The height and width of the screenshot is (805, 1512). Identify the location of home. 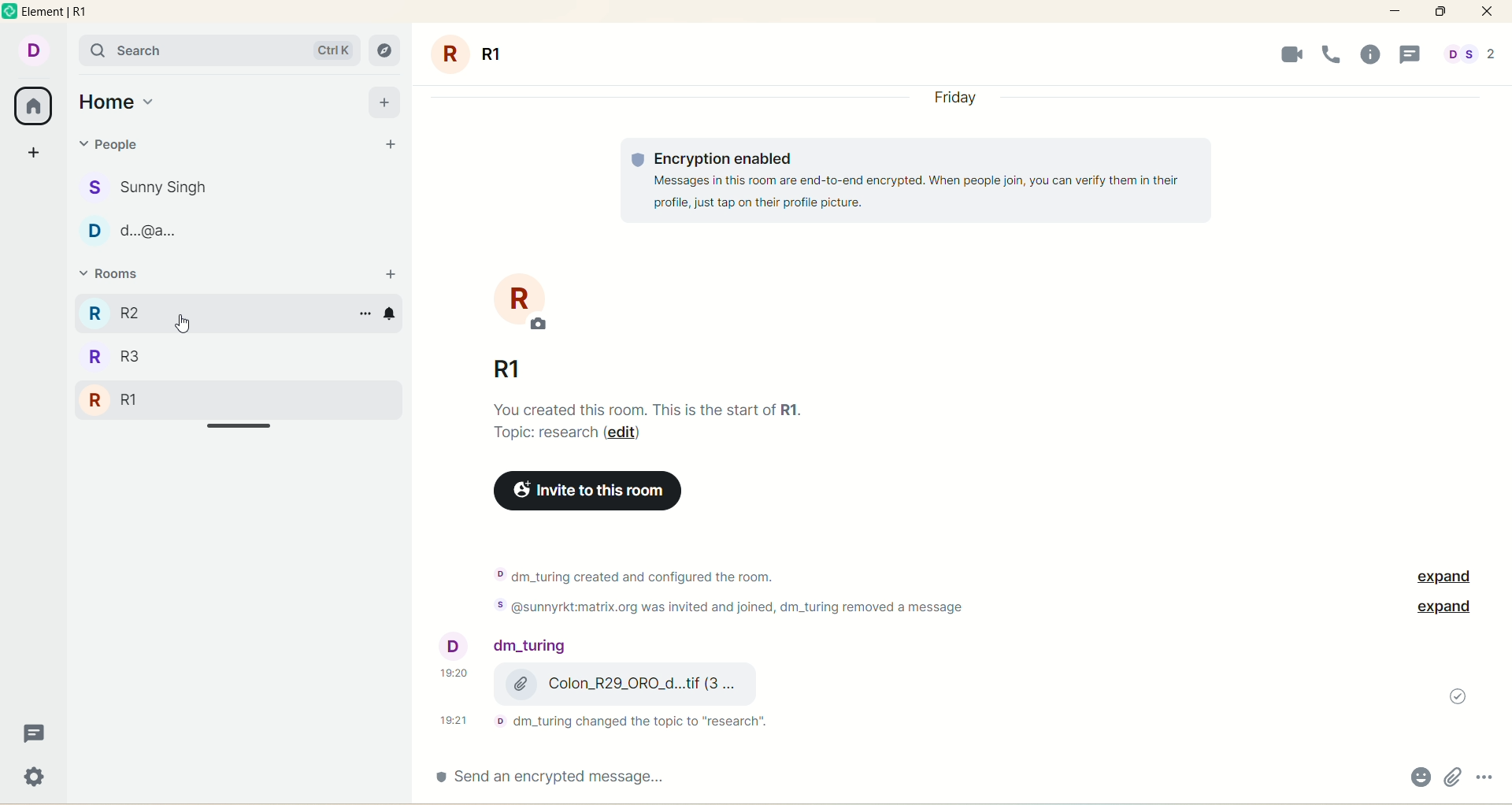
(117, 102).